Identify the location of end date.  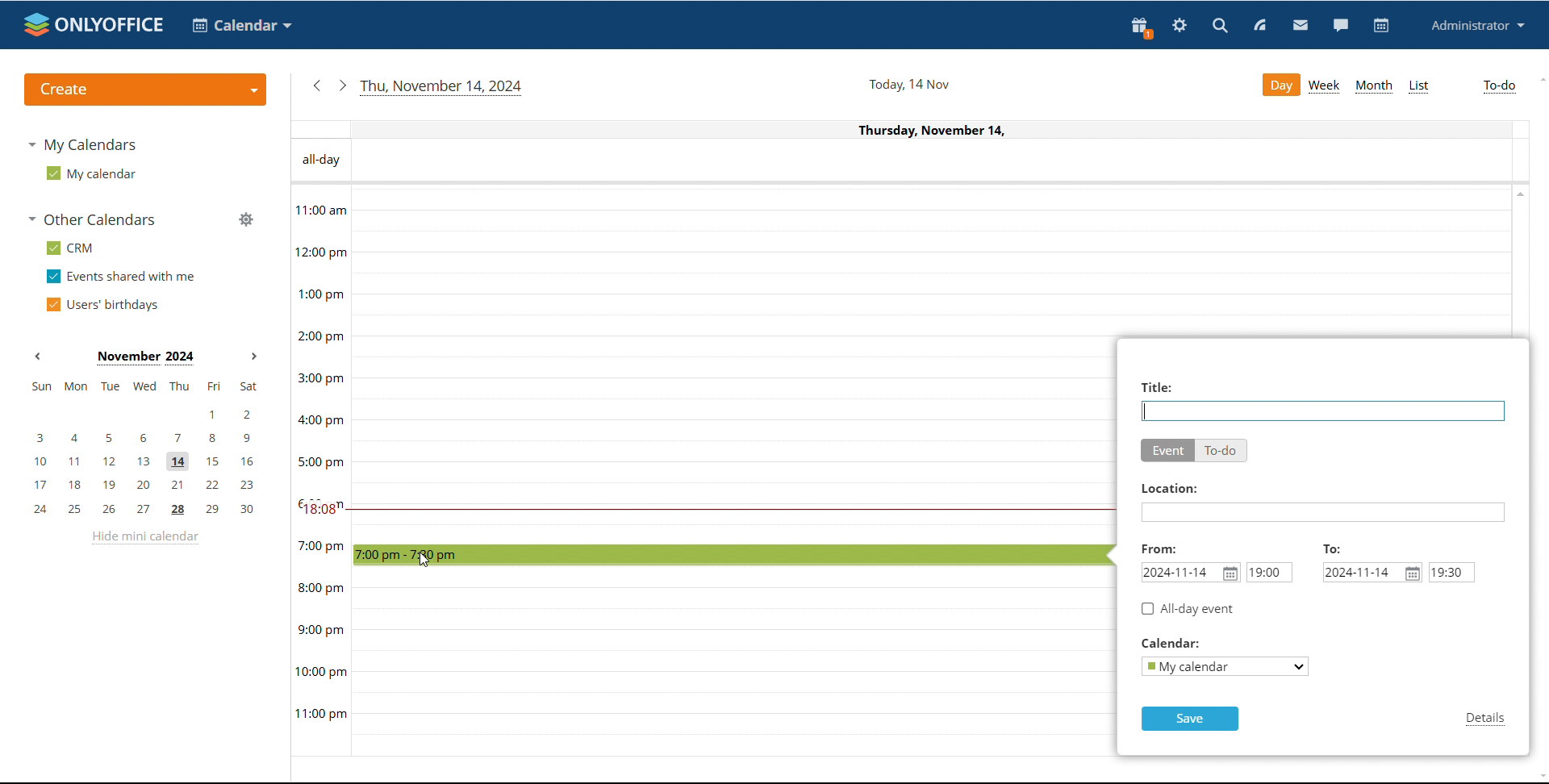
(1373, 573).